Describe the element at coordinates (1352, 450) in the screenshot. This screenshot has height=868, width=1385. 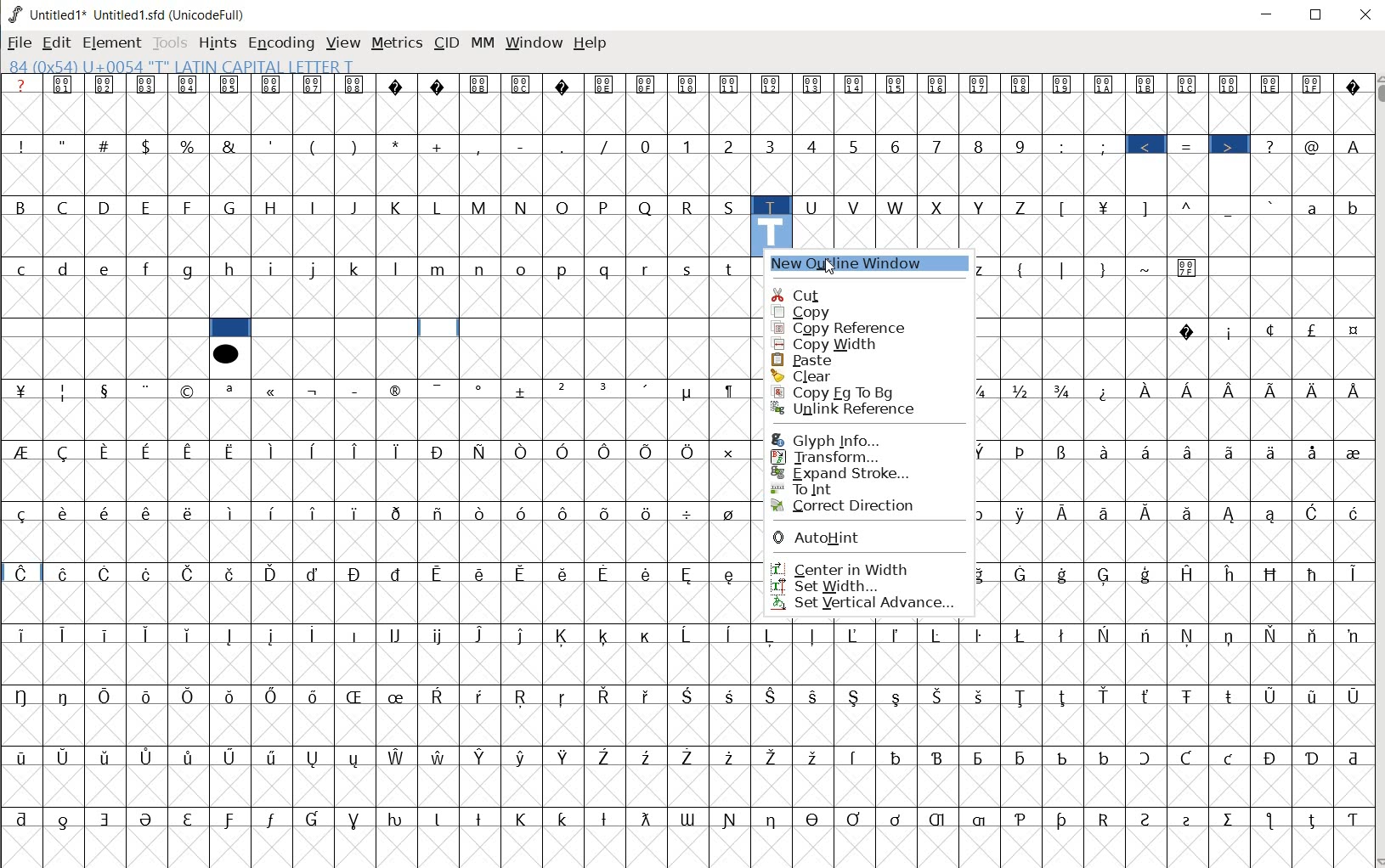
I see `Symbol` at that location.